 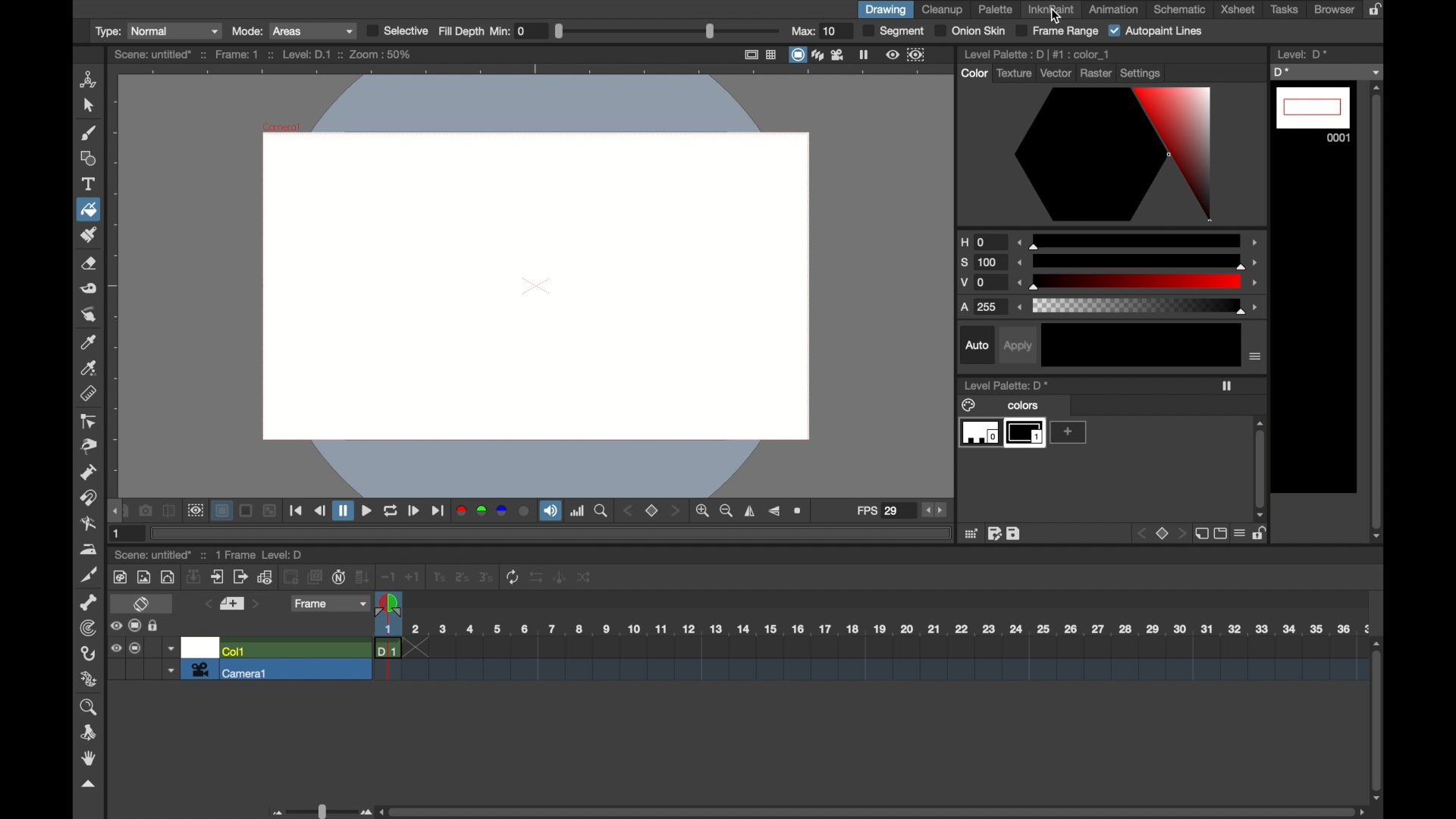 What do you see at coordinates (651, 511) in the screenshot?
I see `stop` at bounding box center [651, 511].